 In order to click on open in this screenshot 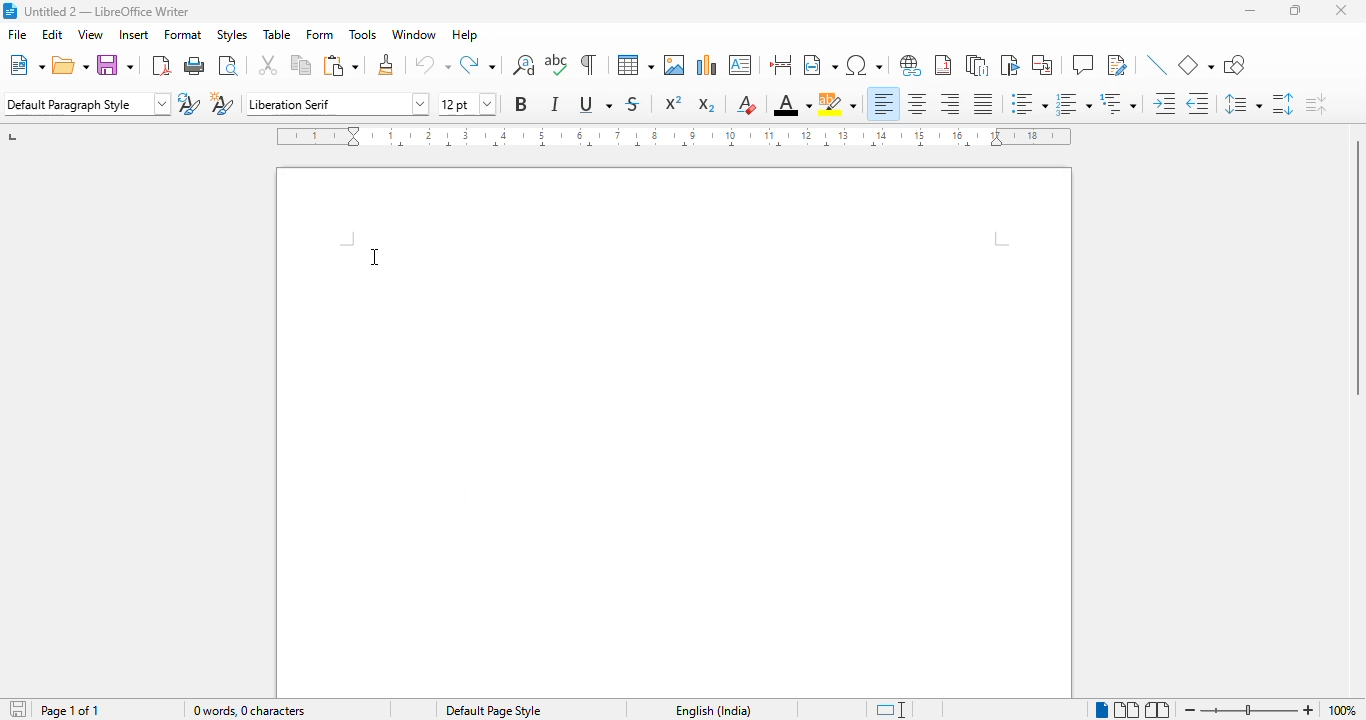, I will do `click(71, 64)`.